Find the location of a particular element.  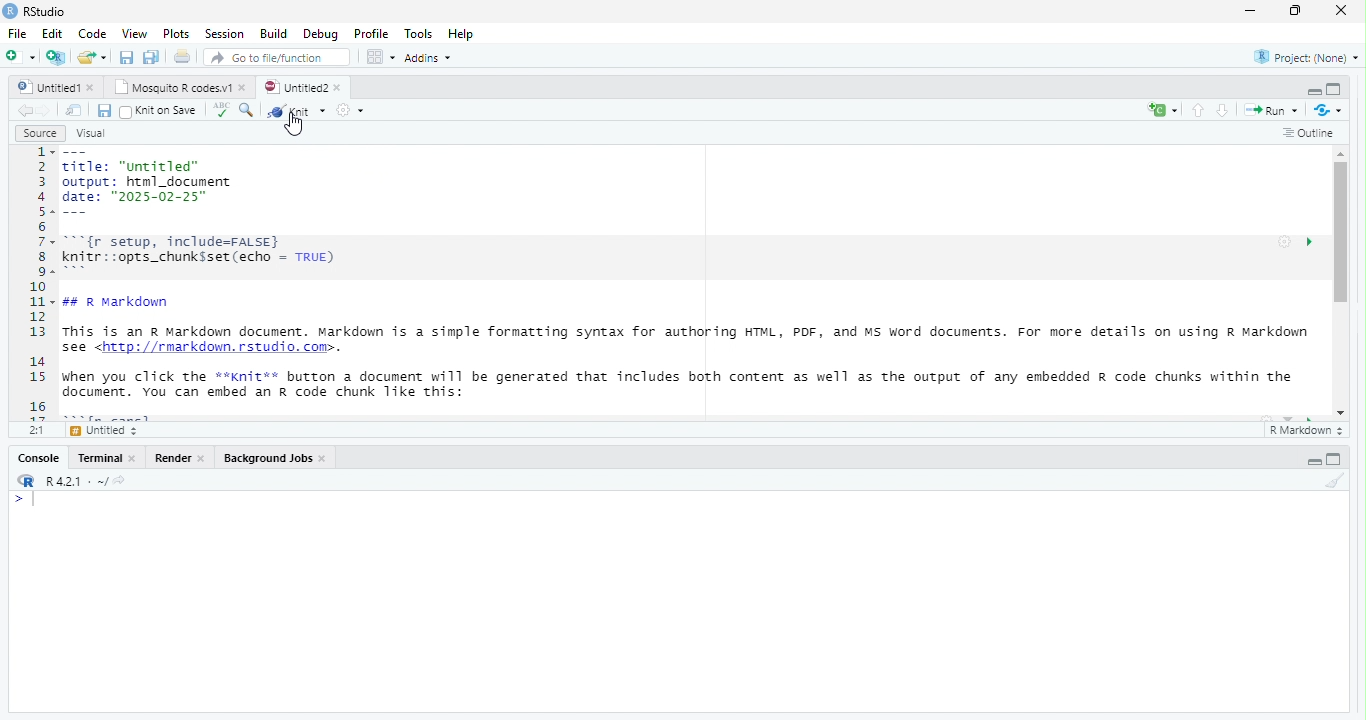

<http://rmarkdown. rstudio. com>. is located at coordinates (219, 349).